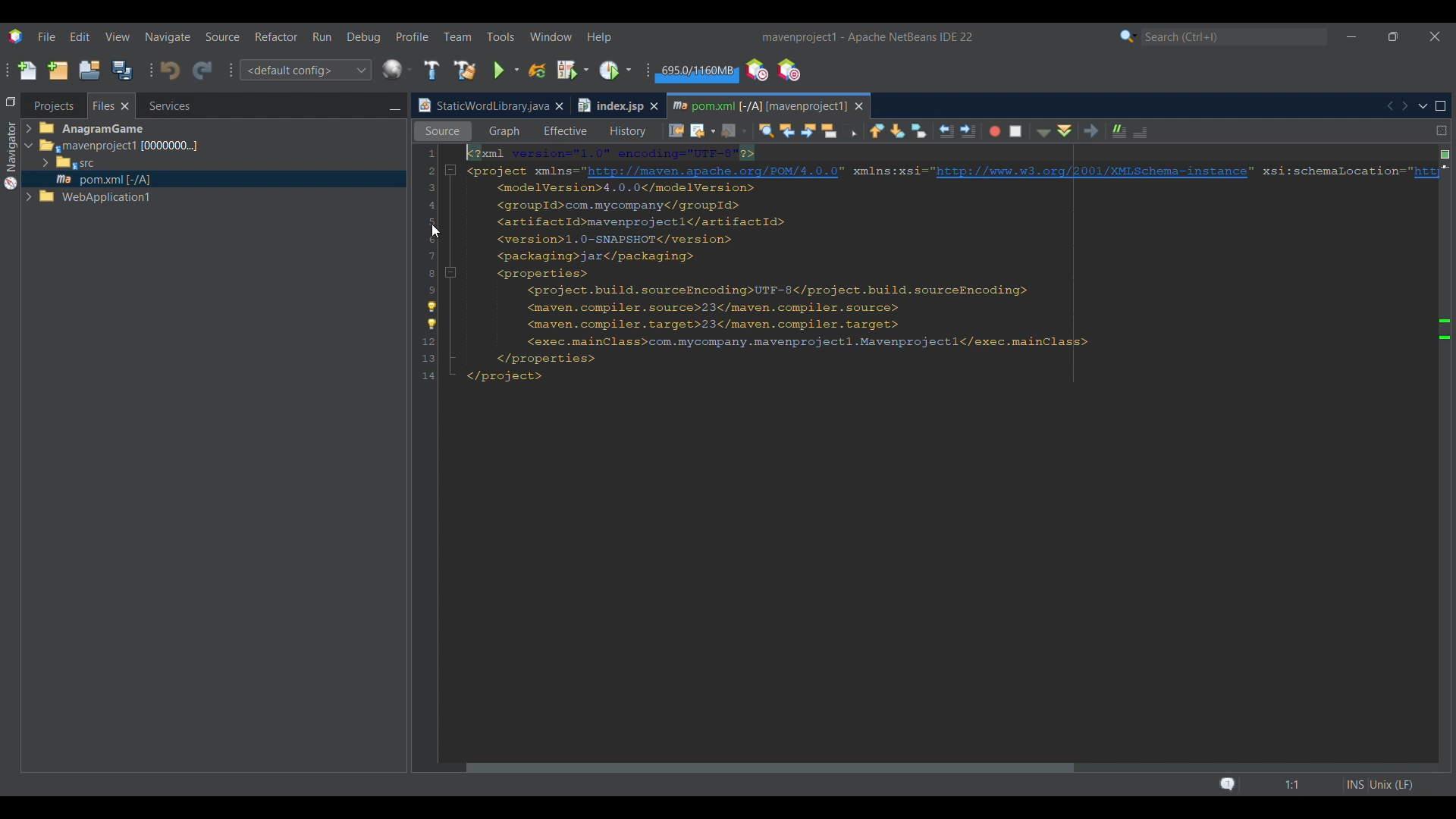  Describe the element at coordinates (859, 106) in the screenshot. I see `Close tab` at that location.